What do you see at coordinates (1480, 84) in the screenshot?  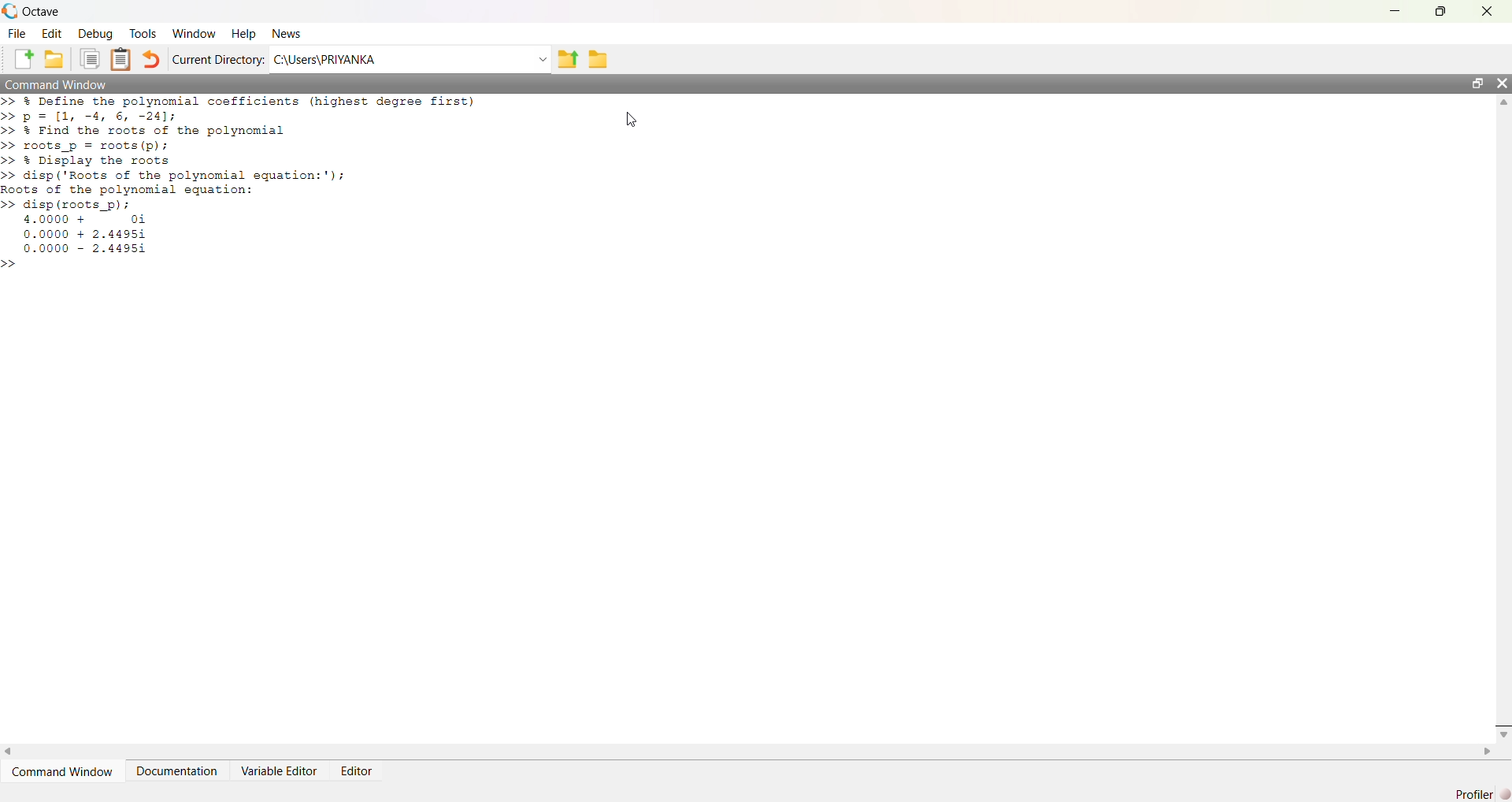 I see `Maximize` at bounding box center [1480, 84].